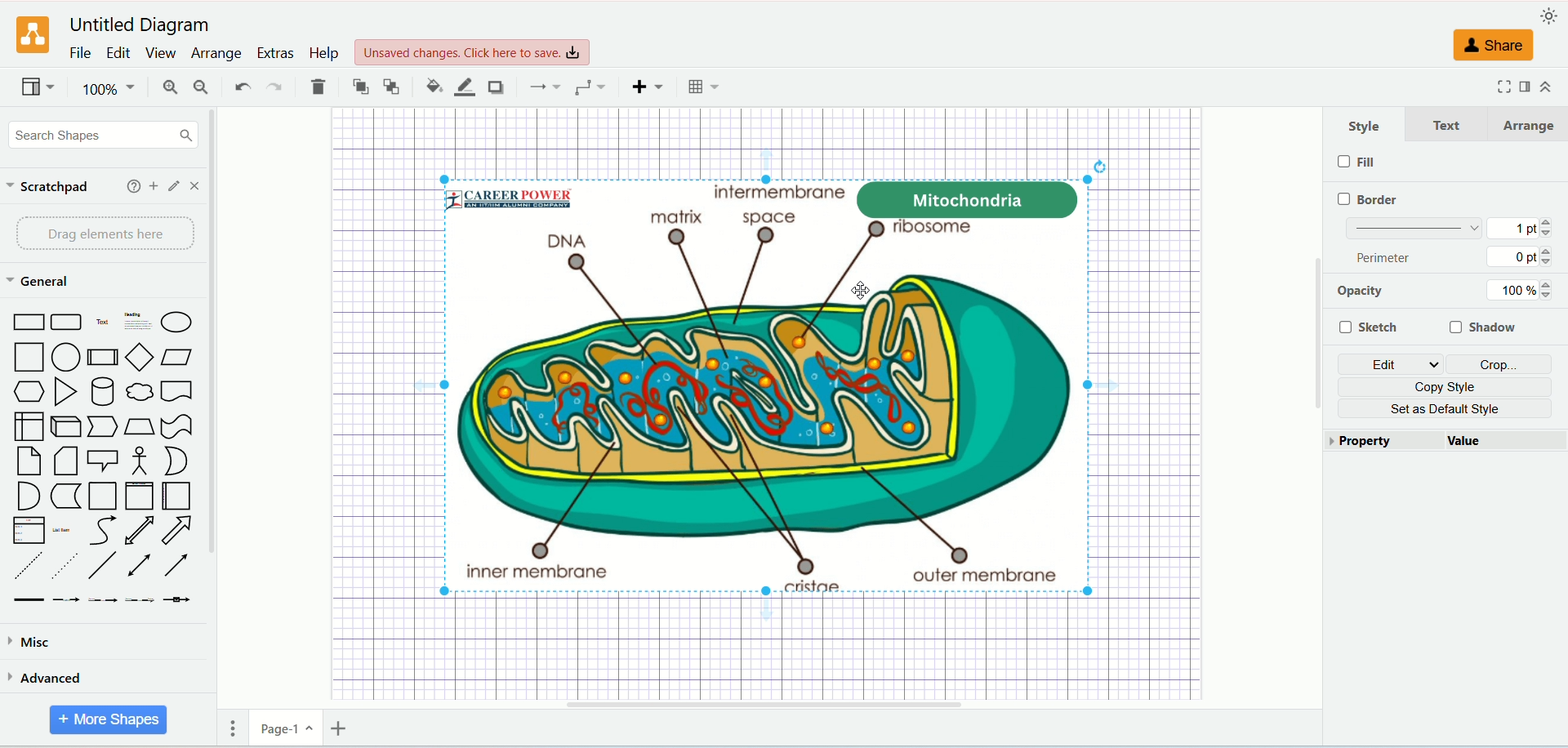 The height and width of the screenshot is (748, 1568). I want to click on shadow, so click(1483, 328).